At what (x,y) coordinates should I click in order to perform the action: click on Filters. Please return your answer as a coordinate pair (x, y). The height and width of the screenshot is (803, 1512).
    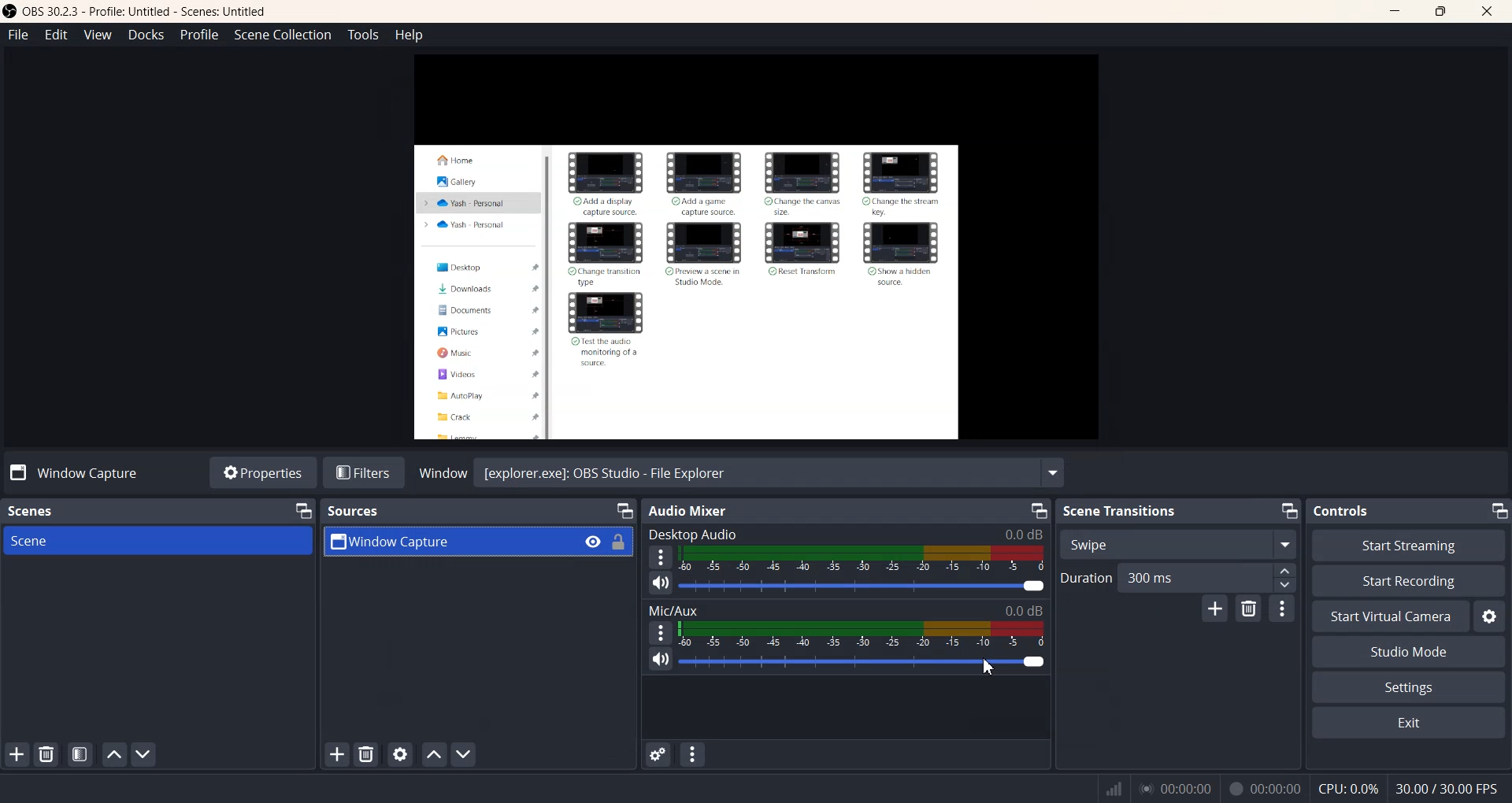
    Looking at the image, I should click on (360, 472).